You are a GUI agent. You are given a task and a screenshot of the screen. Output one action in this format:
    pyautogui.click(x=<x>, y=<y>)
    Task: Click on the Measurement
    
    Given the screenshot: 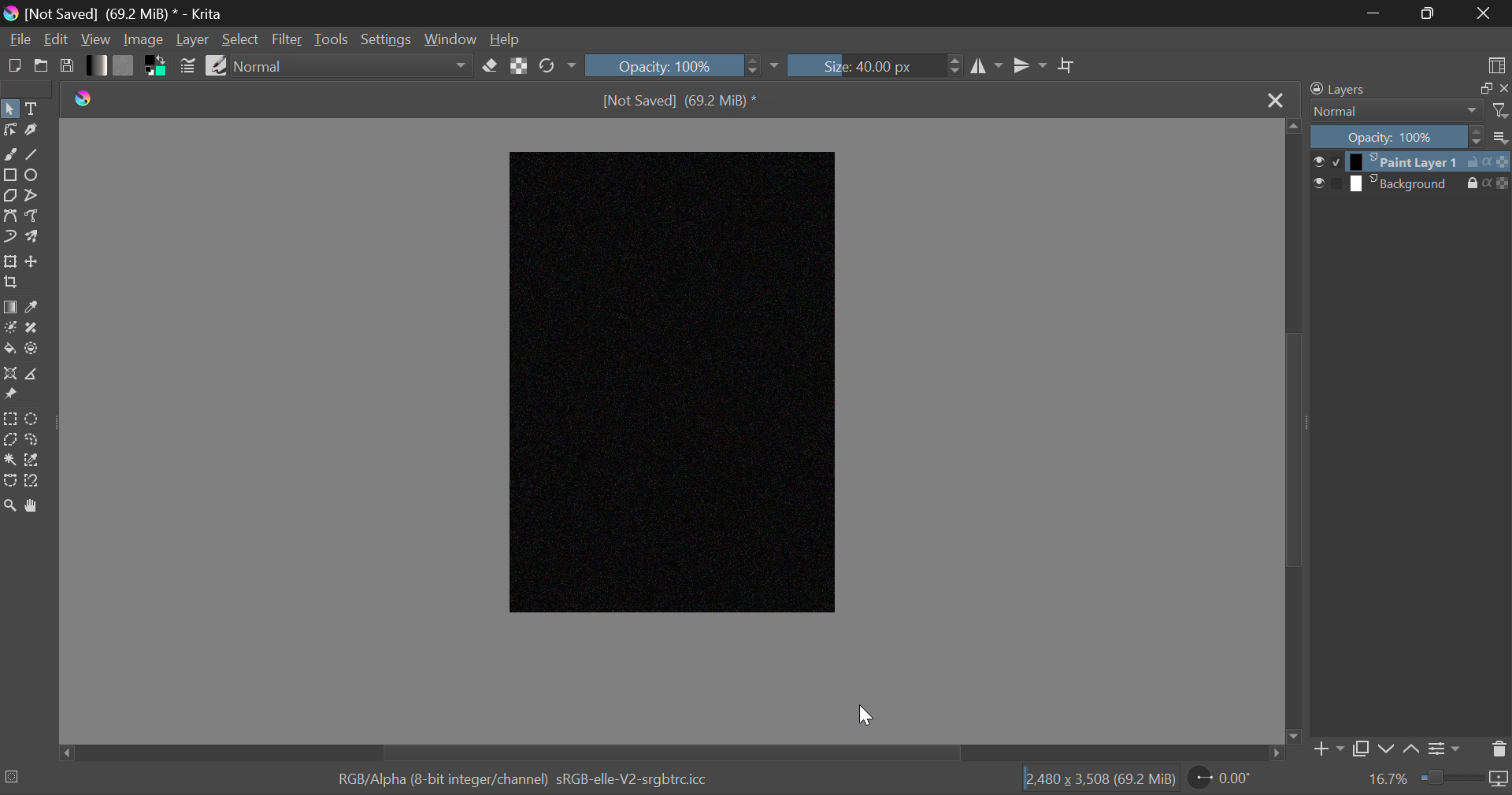 What is the action you would take?
    pyautogui.click(x=34, y=375)
    